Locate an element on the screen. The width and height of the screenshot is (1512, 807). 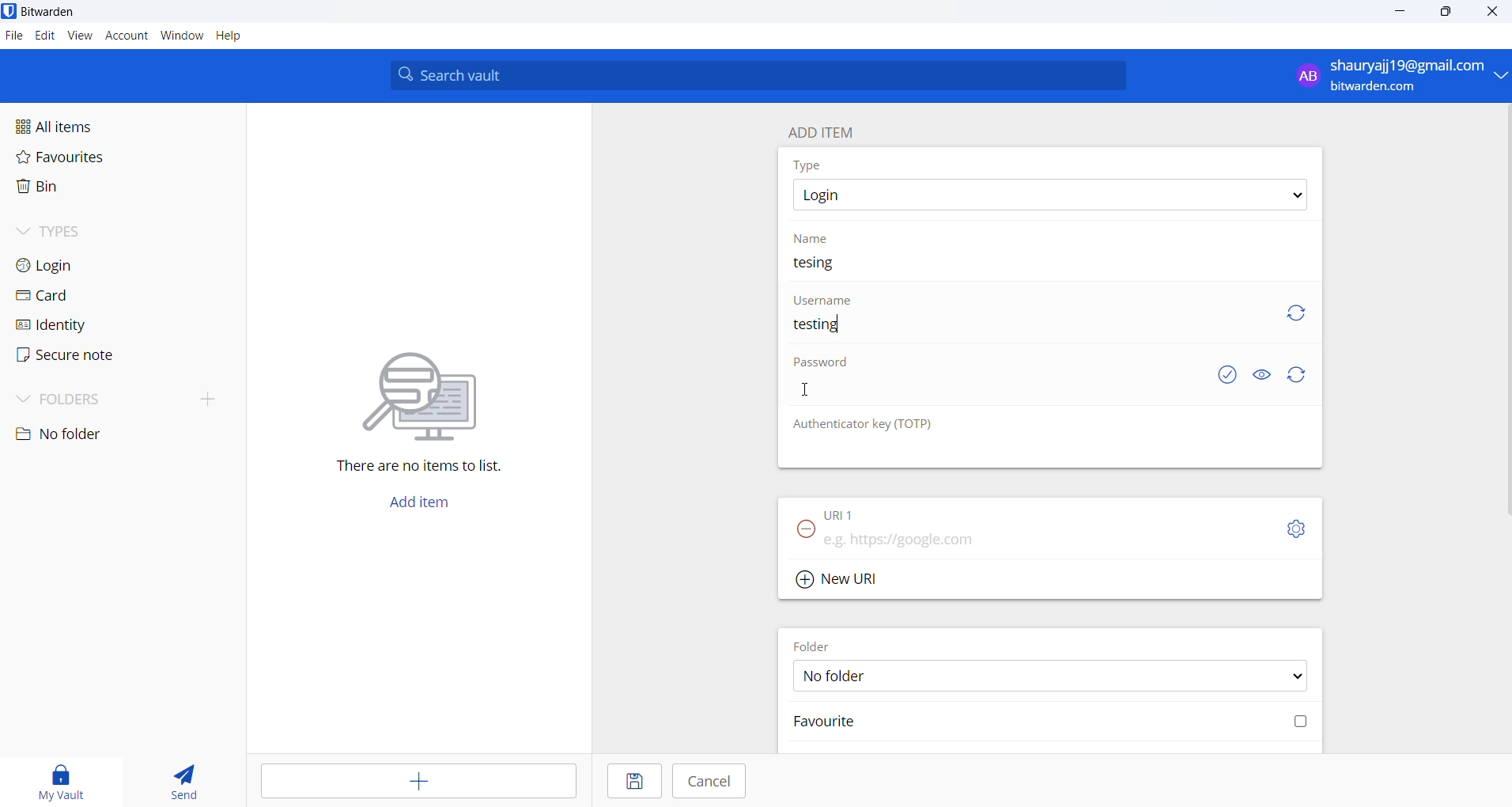
username heading is located at coordinates (824, 298).